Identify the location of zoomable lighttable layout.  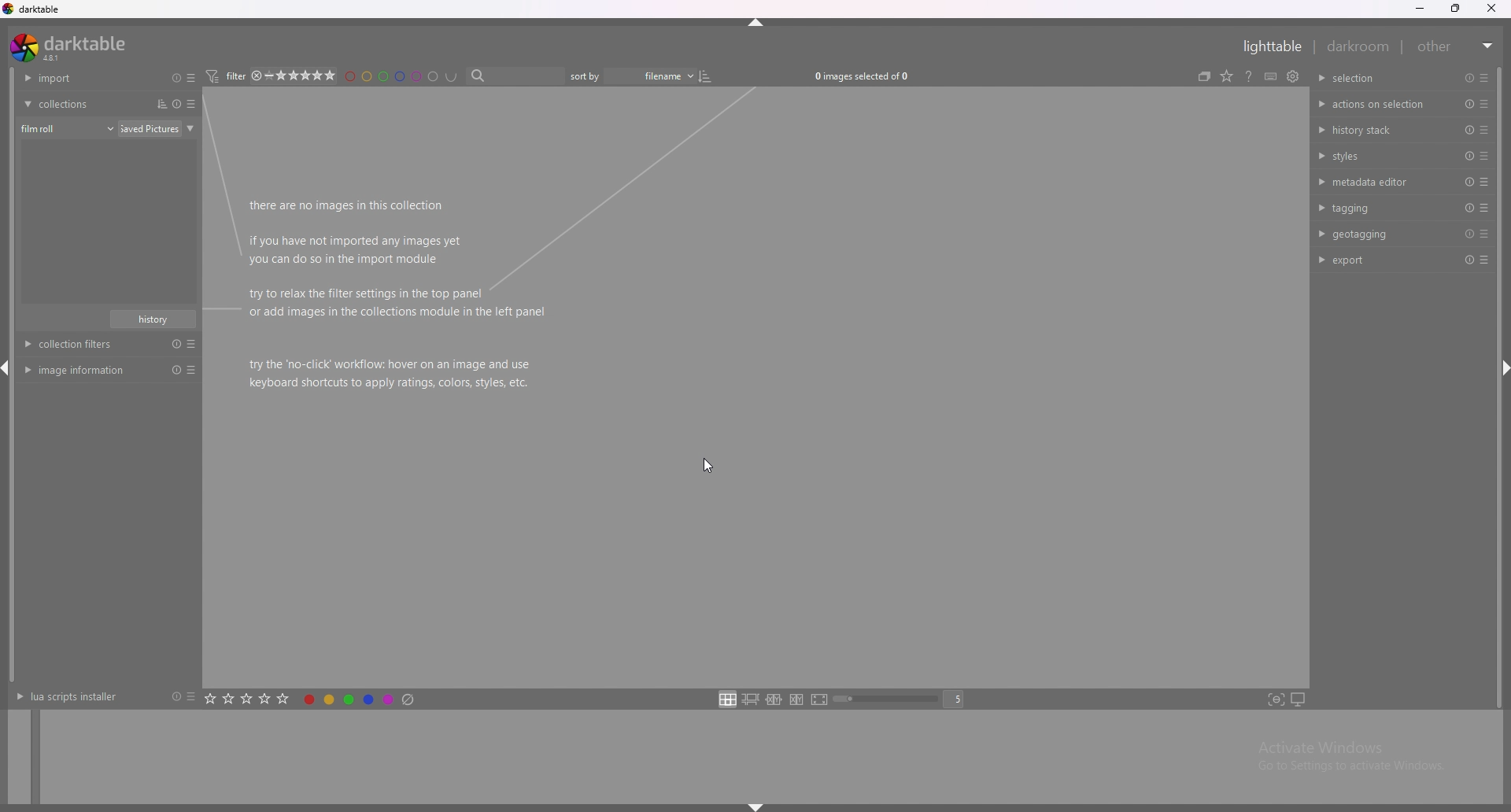
(750, 699).